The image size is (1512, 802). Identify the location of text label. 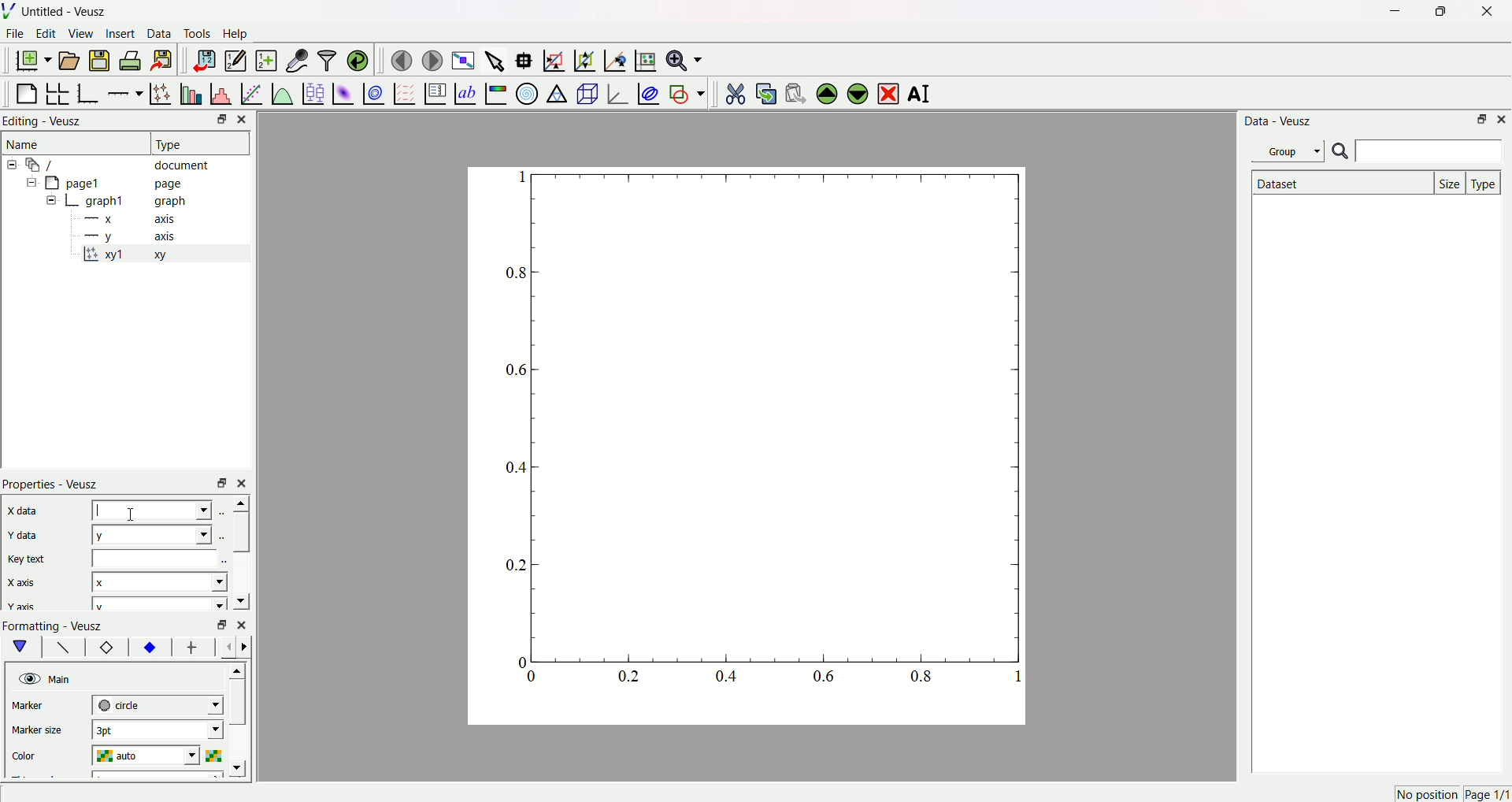
(464, 92).